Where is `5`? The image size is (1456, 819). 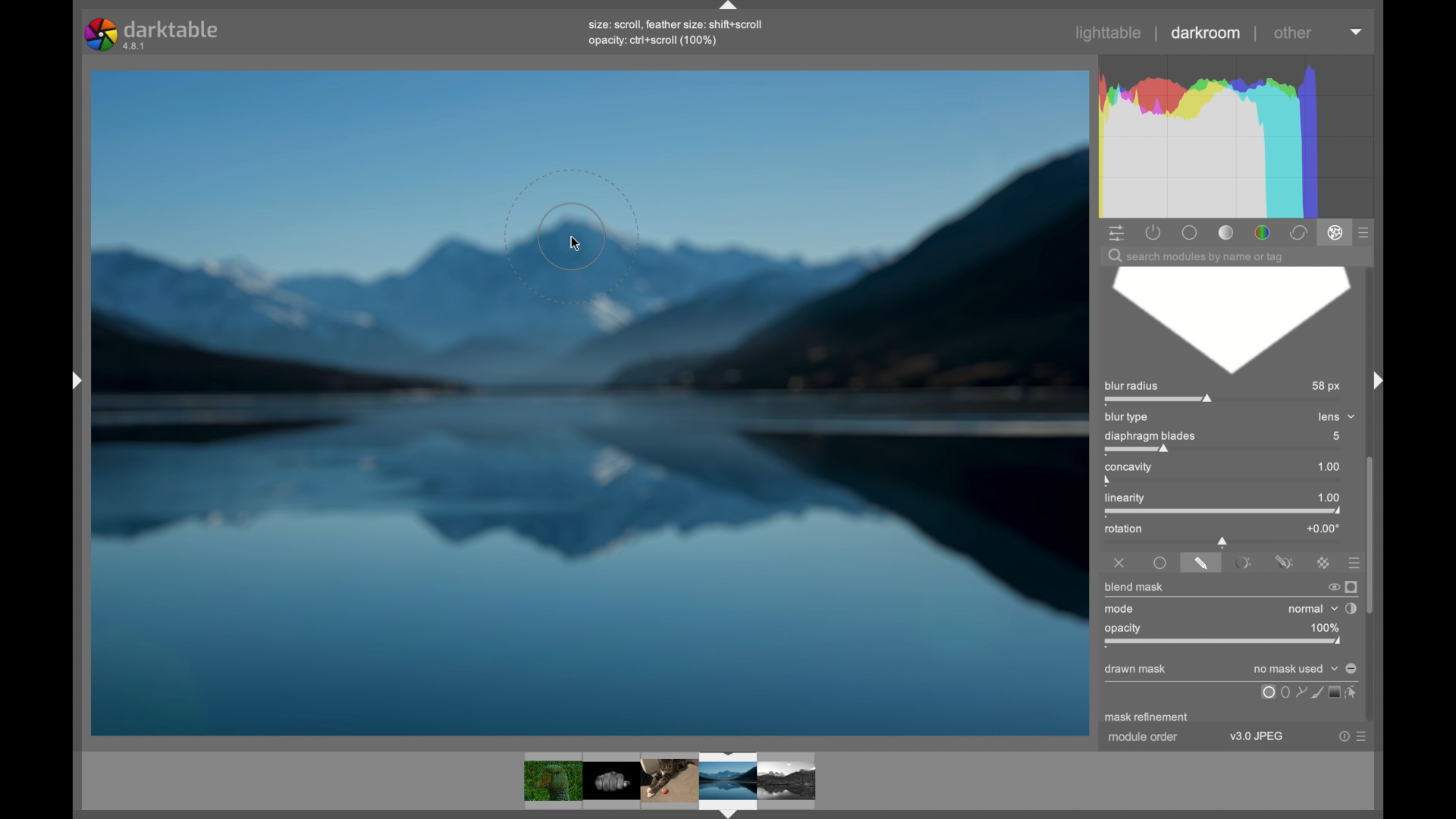
5 is located at coordinates (1335, 437).